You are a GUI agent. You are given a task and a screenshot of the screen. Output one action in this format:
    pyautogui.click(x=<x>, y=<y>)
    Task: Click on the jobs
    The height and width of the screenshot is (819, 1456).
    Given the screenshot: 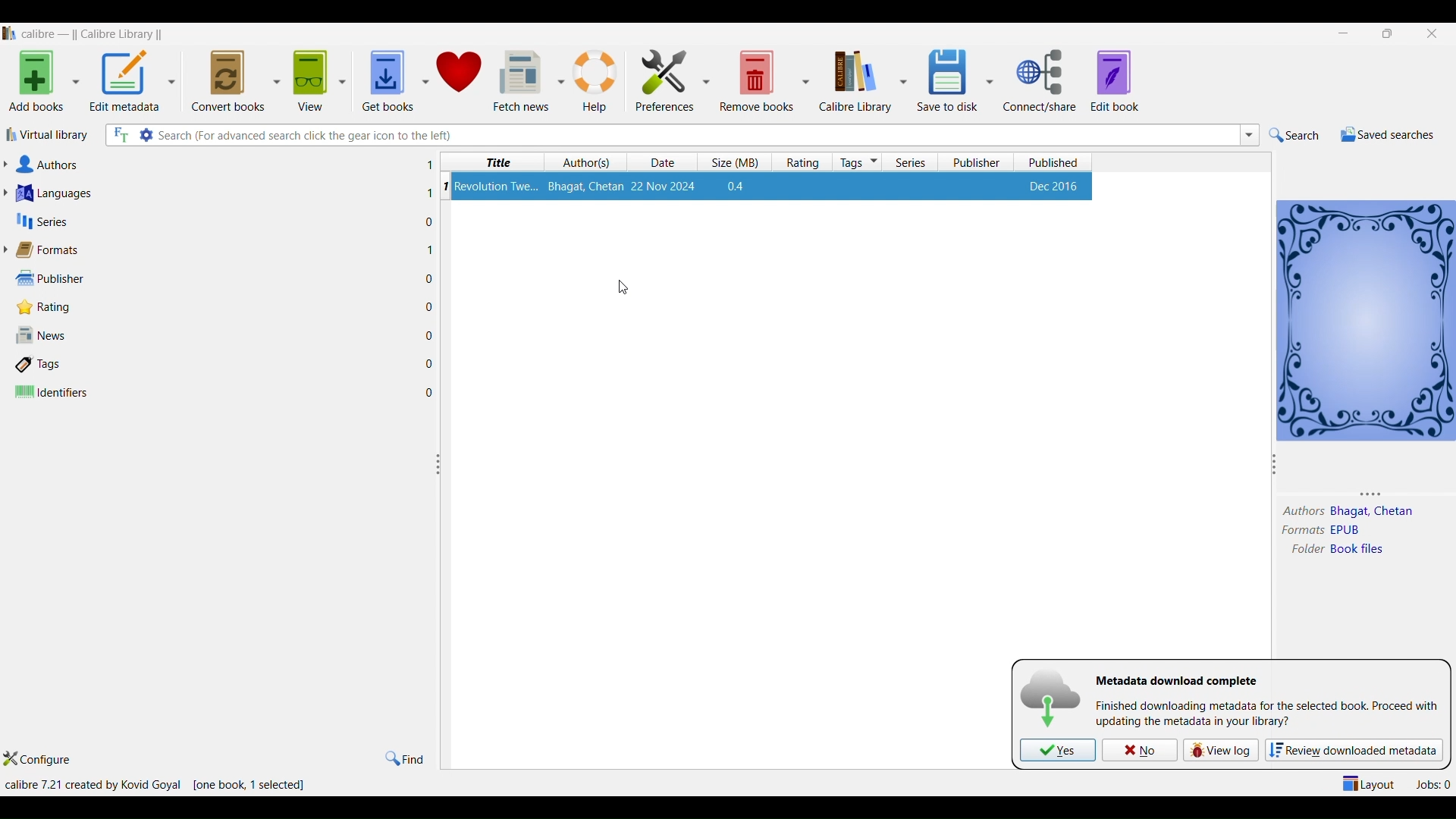 What is the action you would take?
    pyautogui.click(x=1429, y=783)
    